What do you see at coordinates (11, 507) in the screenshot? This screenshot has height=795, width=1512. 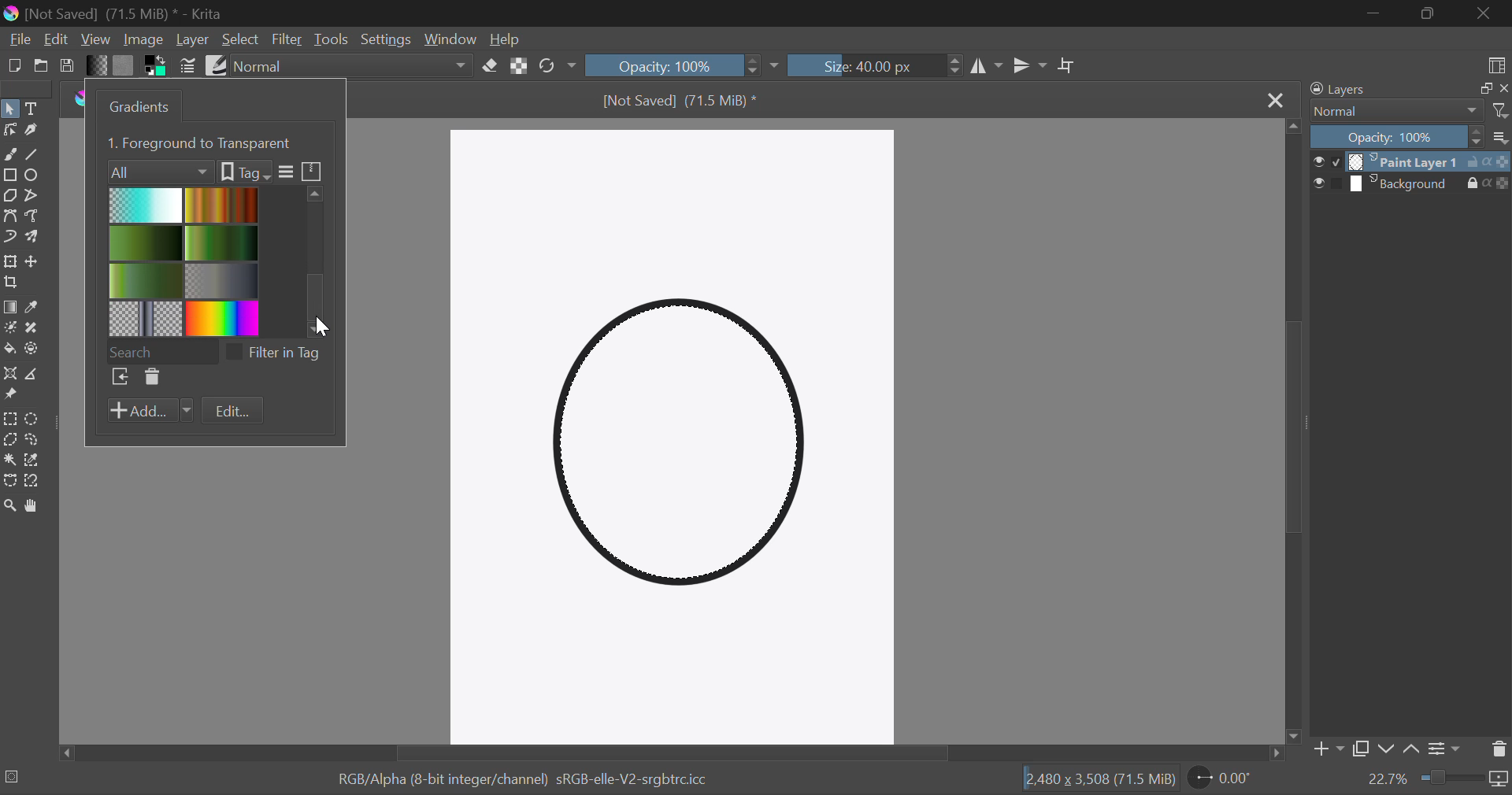 I see `Zoom` at bounding box center [11, 507].